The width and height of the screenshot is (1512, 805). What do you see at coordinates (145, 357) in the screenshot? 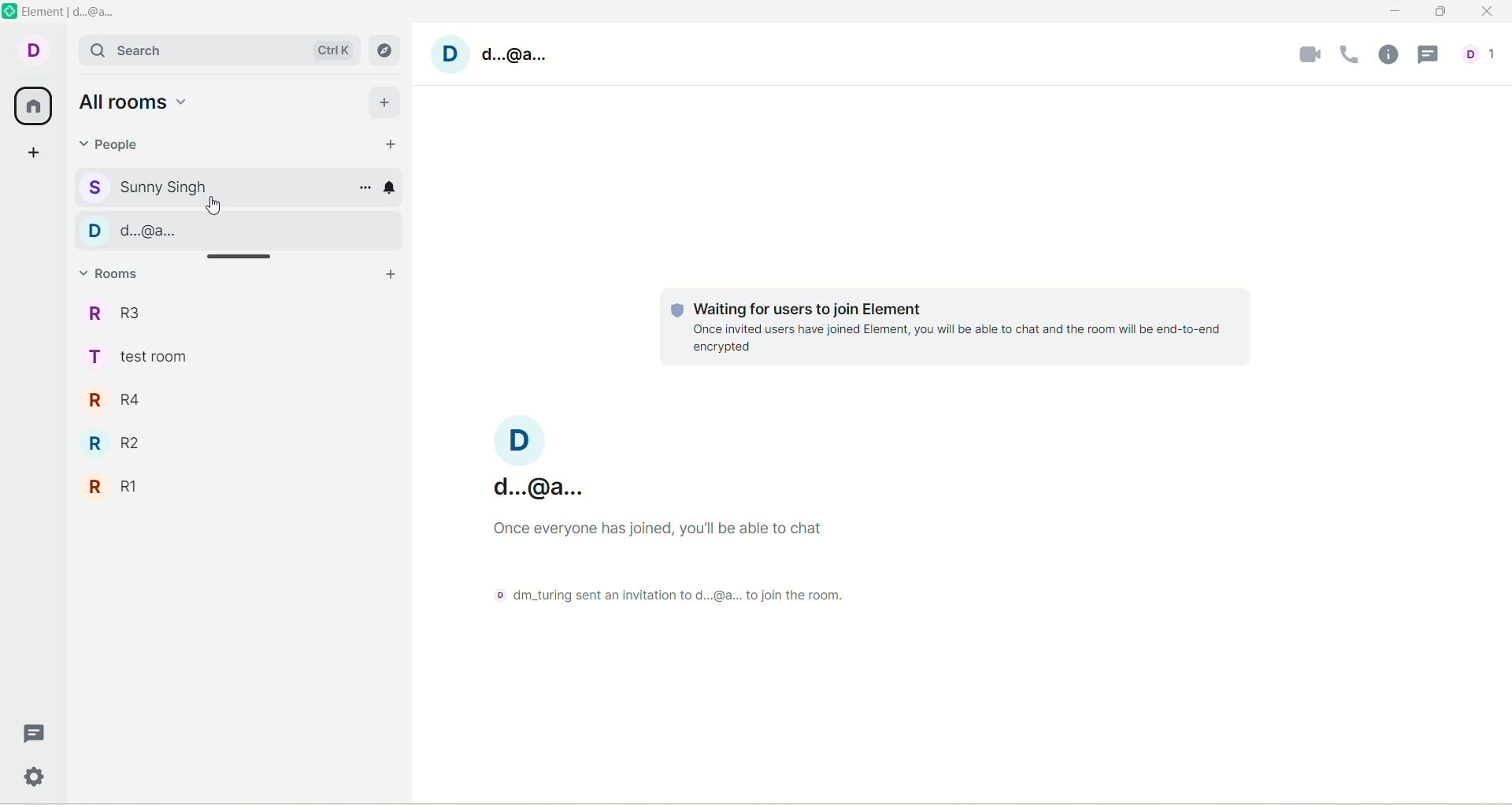
I see `test room` at bounding box center [145, 357].